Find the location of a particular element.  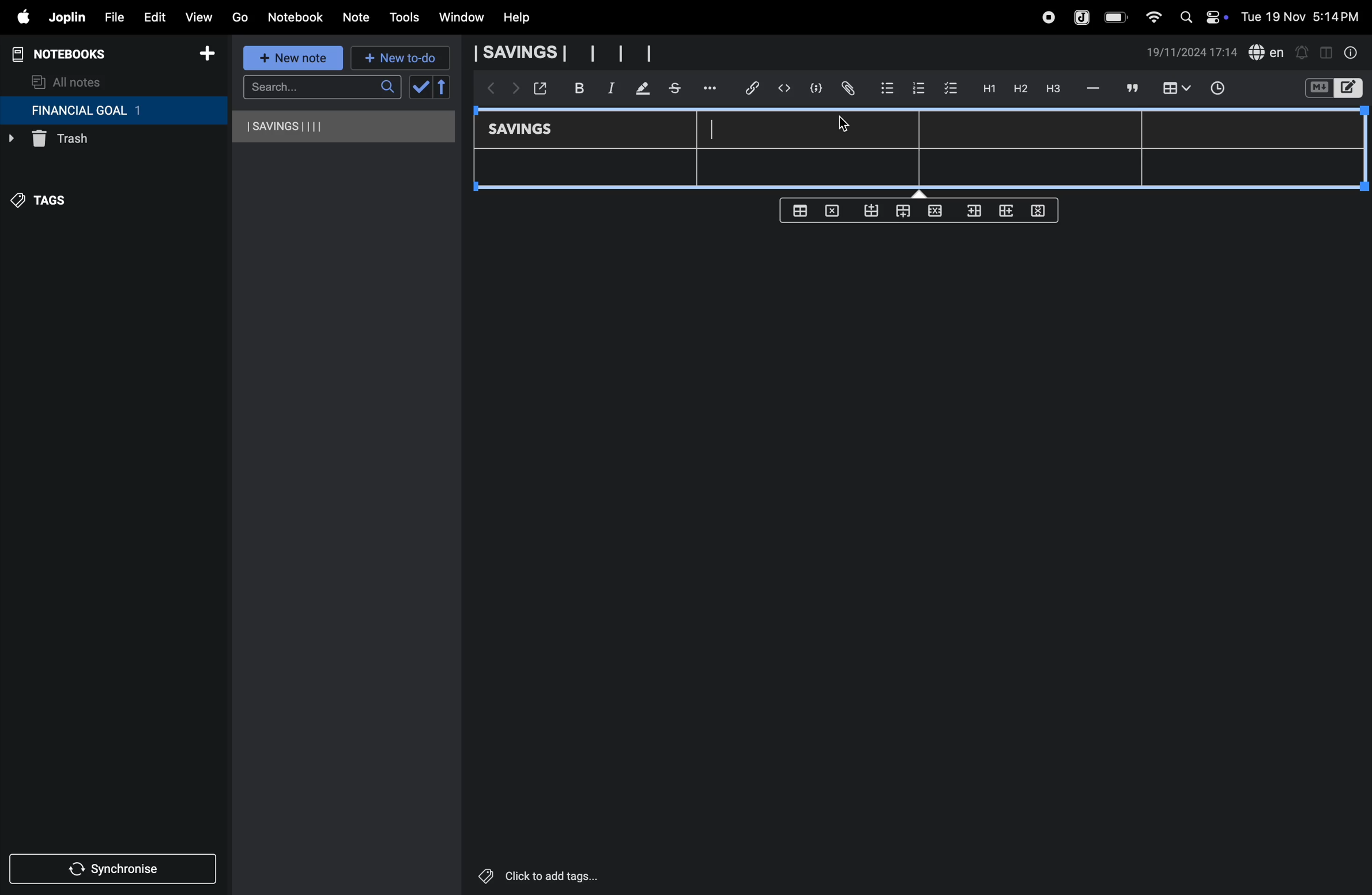

synchronize is located at coordinates (114, 867).